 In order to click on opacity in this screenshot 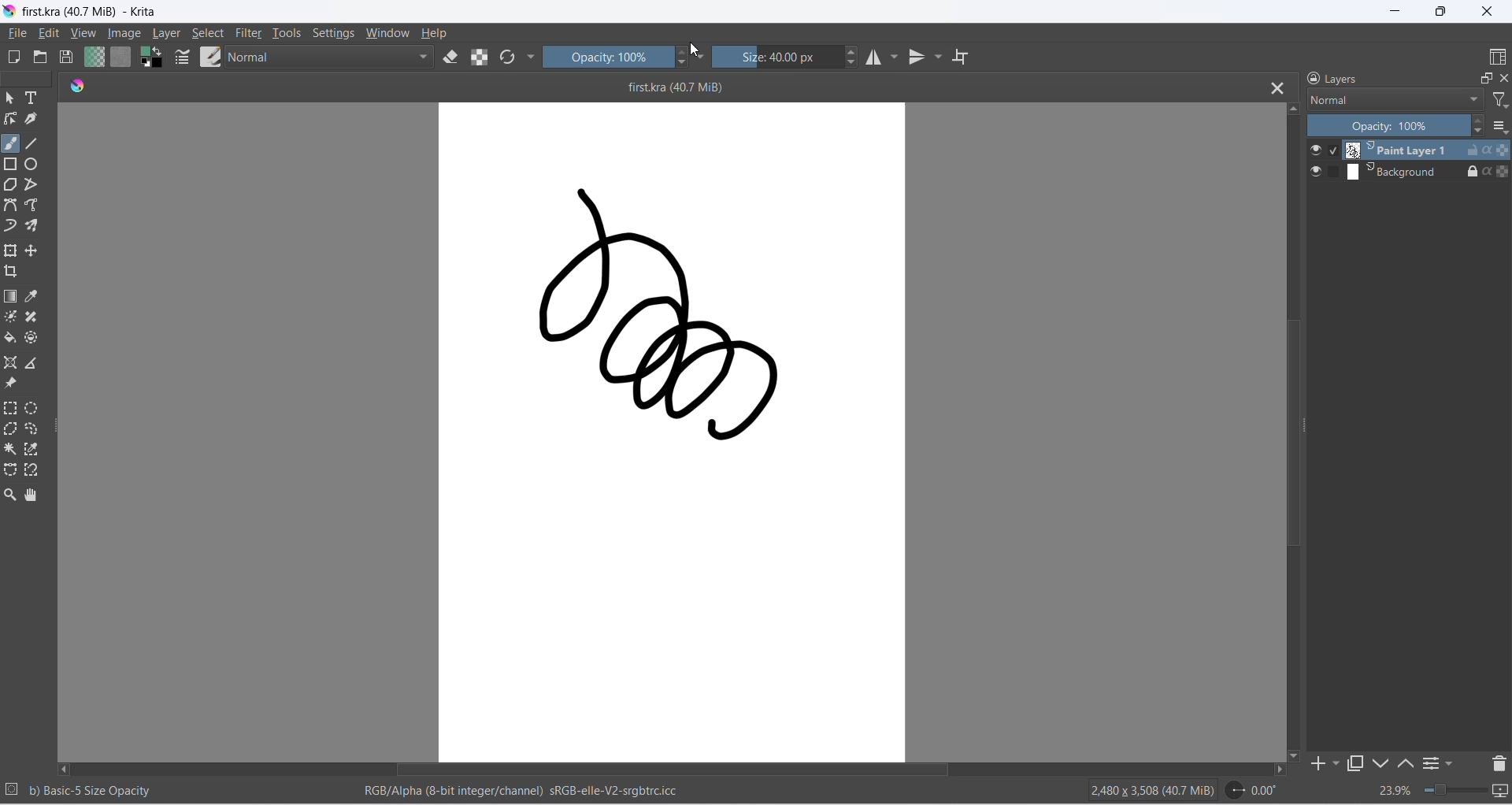, I will do `click(1386, 125)`.